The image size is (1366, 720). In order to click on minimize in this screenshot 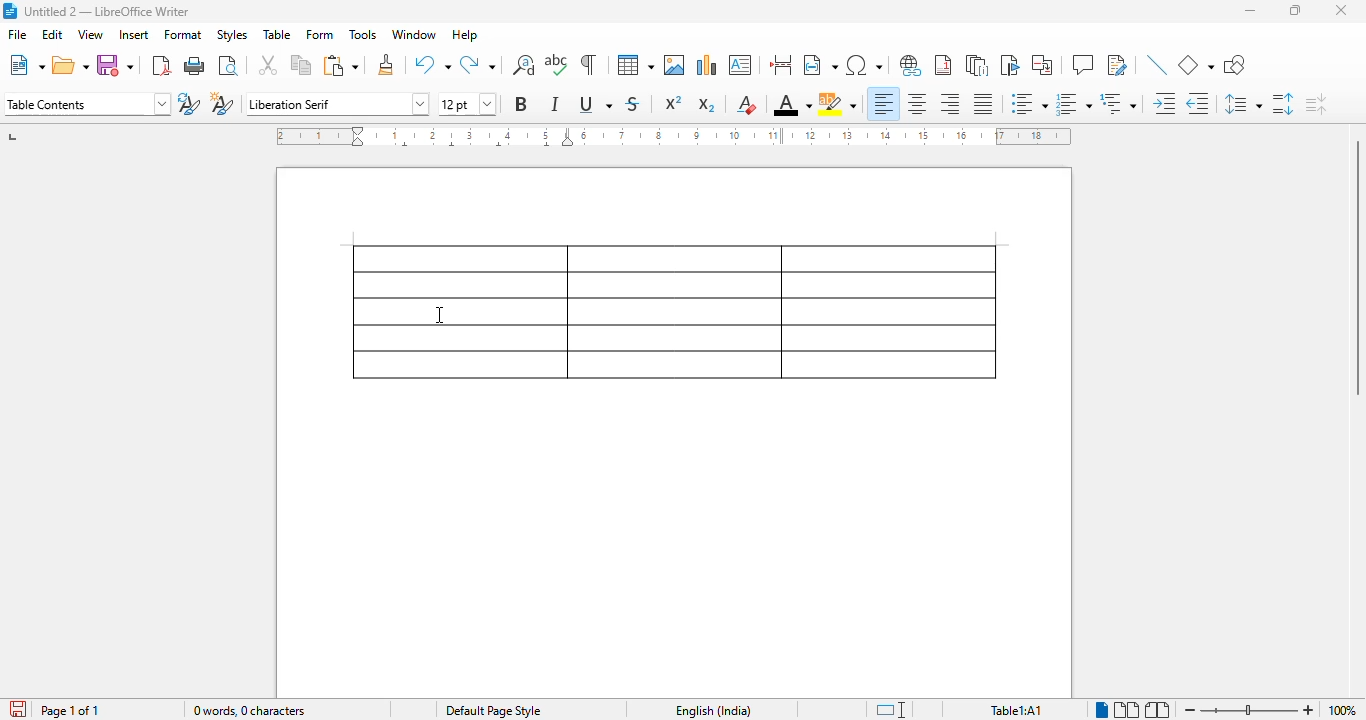, I will do `click(1250, 10)`.